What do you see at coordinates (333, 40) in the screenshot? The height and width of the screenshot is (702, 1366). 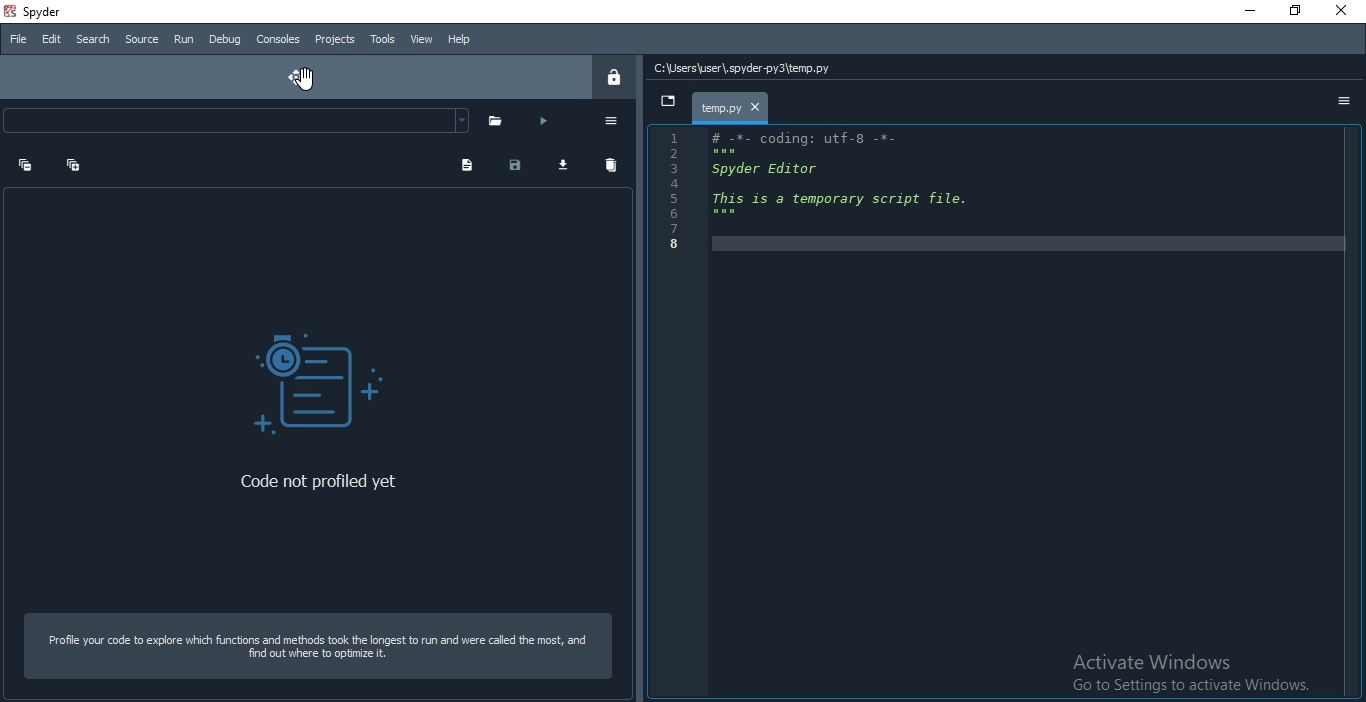 I see `Projects` at bounding box center [333, 40].